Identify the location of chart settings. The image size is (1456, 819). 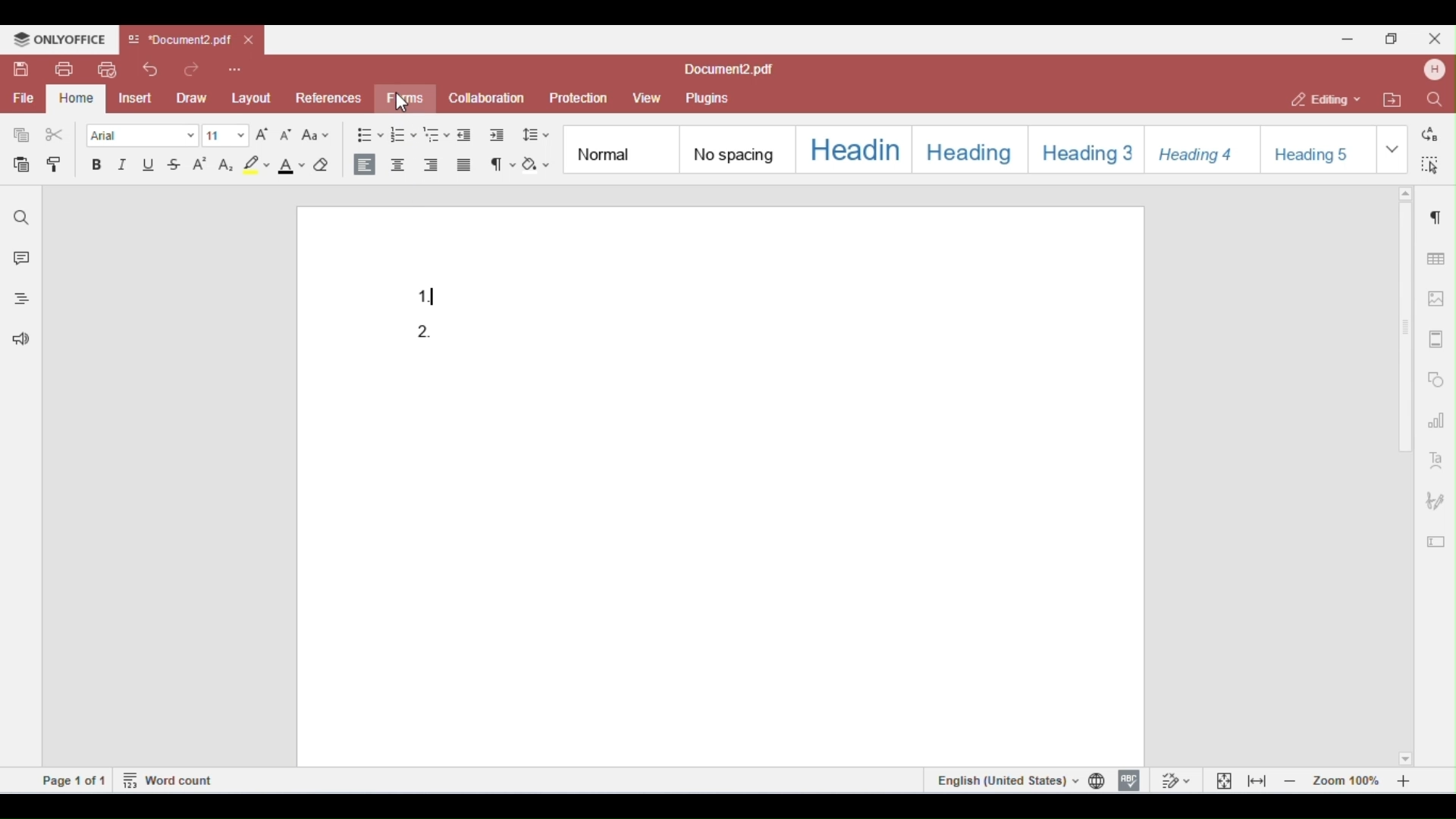
(1436, 419).